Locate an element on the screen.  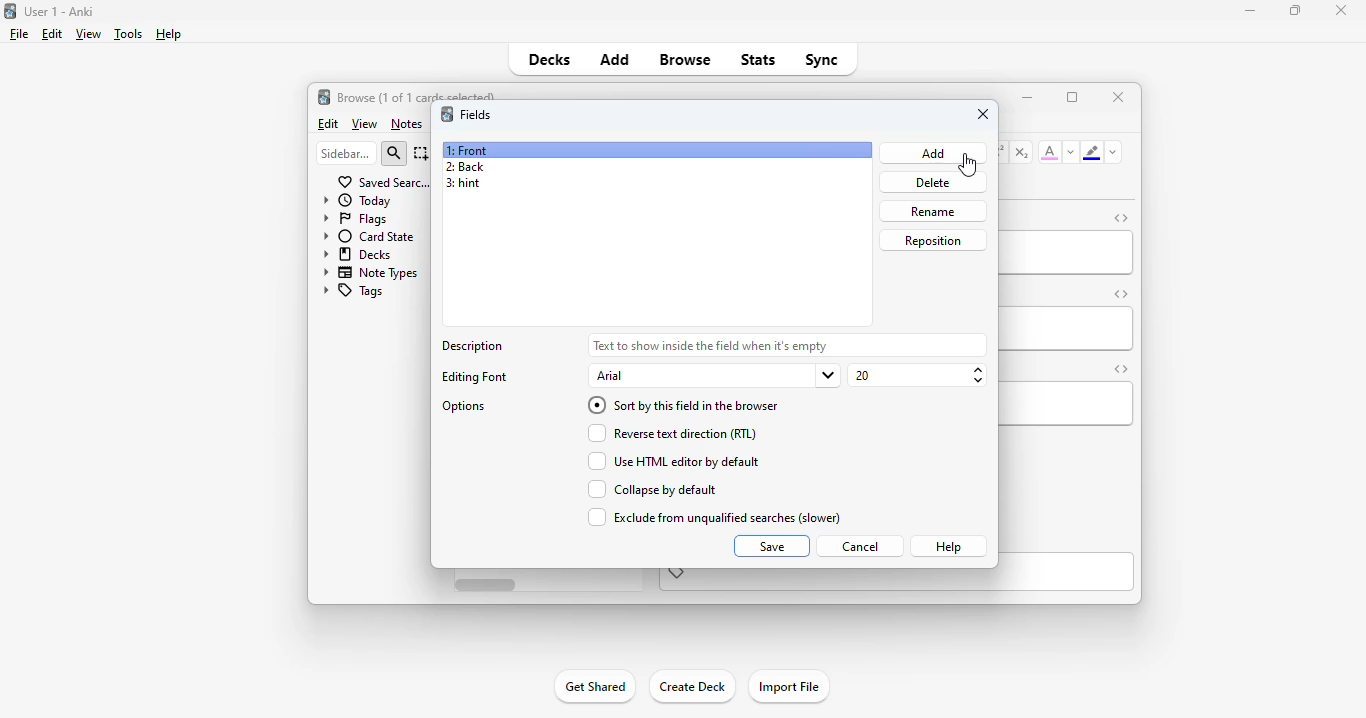
tools is located at coordinates (129, 34).